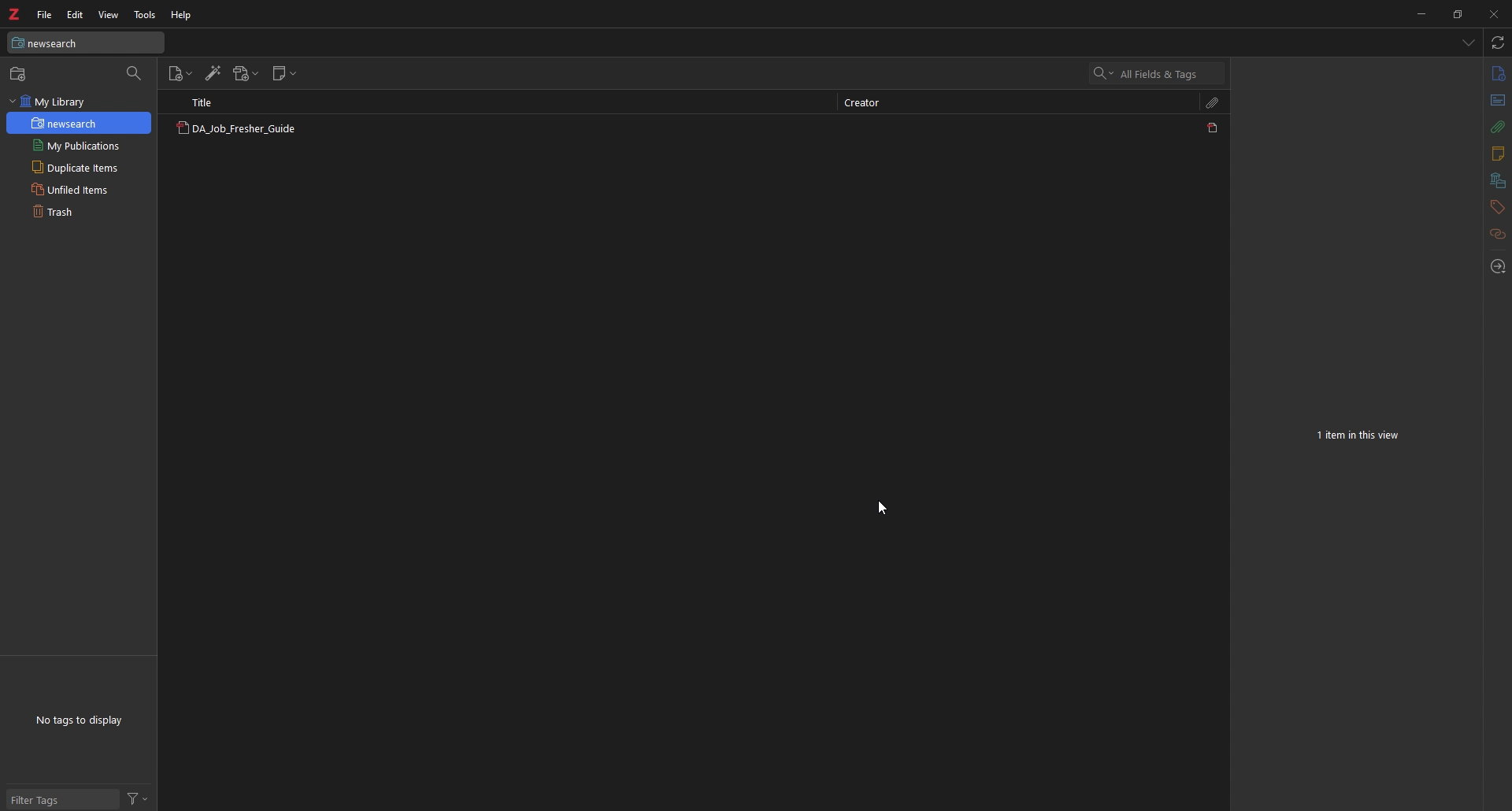 The image size is (1512, 811). I want to click on filter items, so click(135, 74).